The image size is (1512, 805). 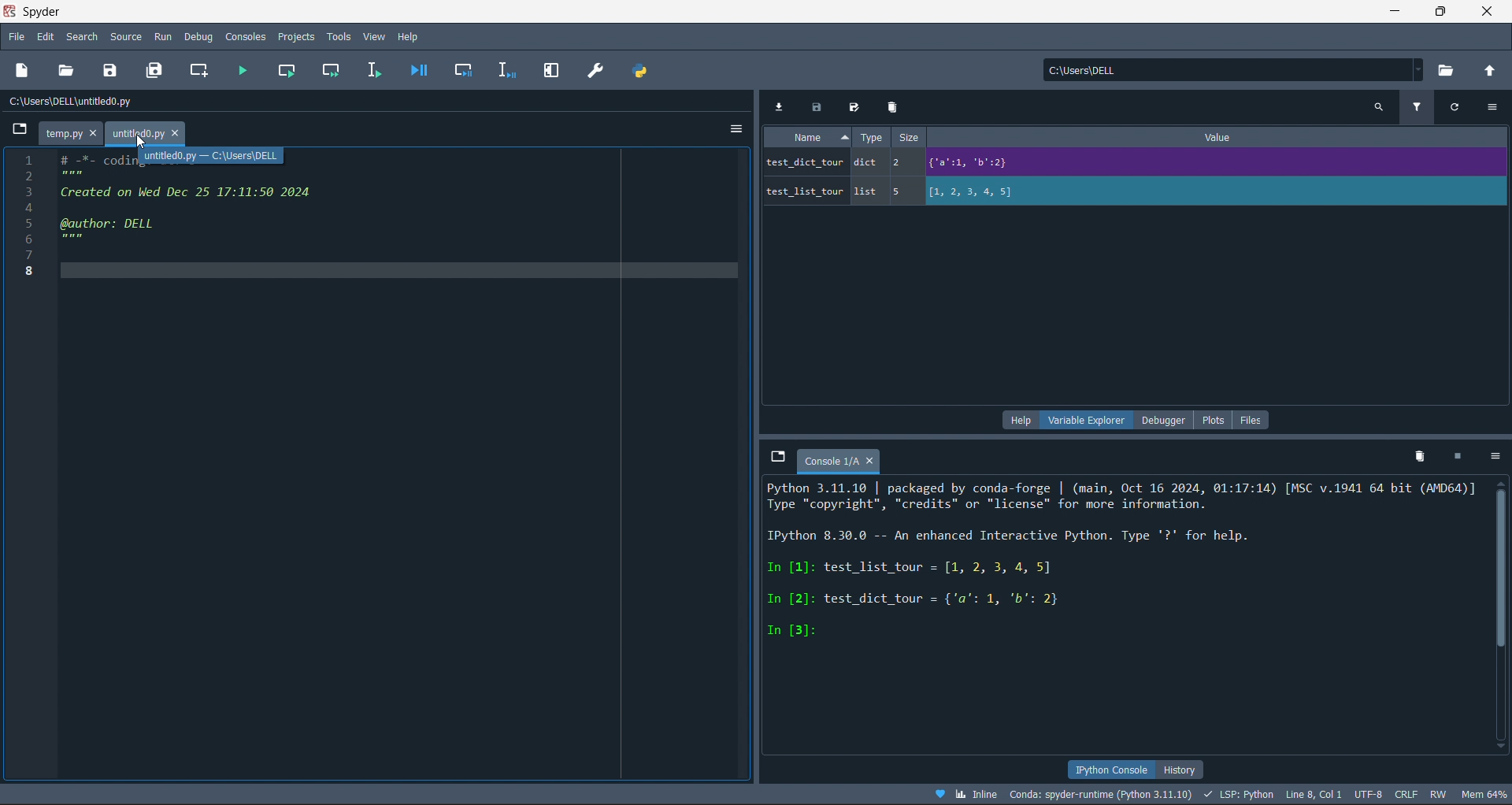 What do you see at coordinates (17, 38) in the screenshot?
I see `file` at bounding box center [17, 38].